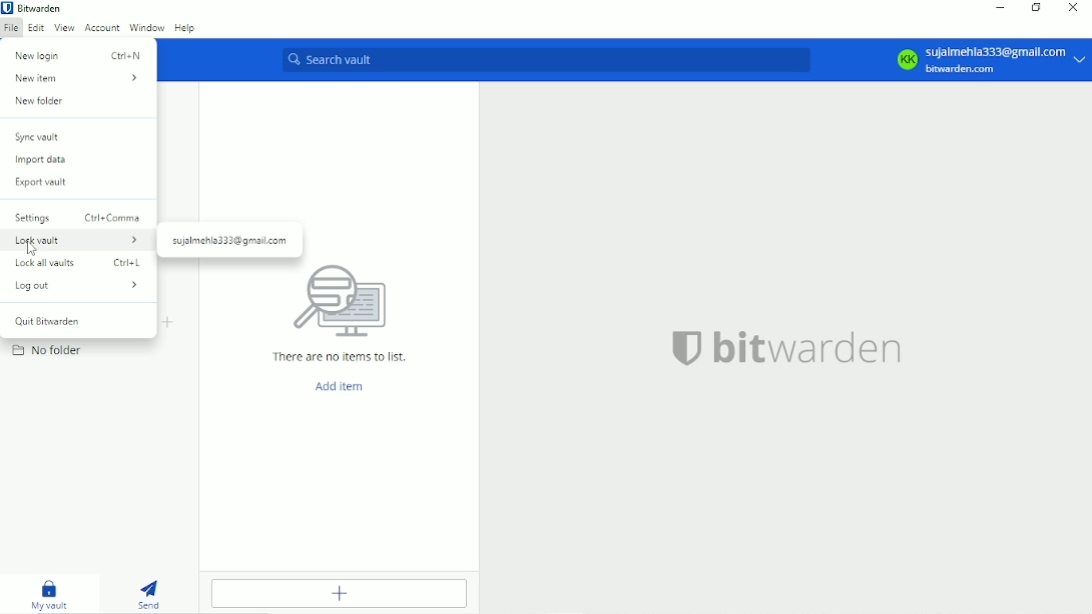 The image size is (1092, 614). I want to click on View, so click(64, 29).